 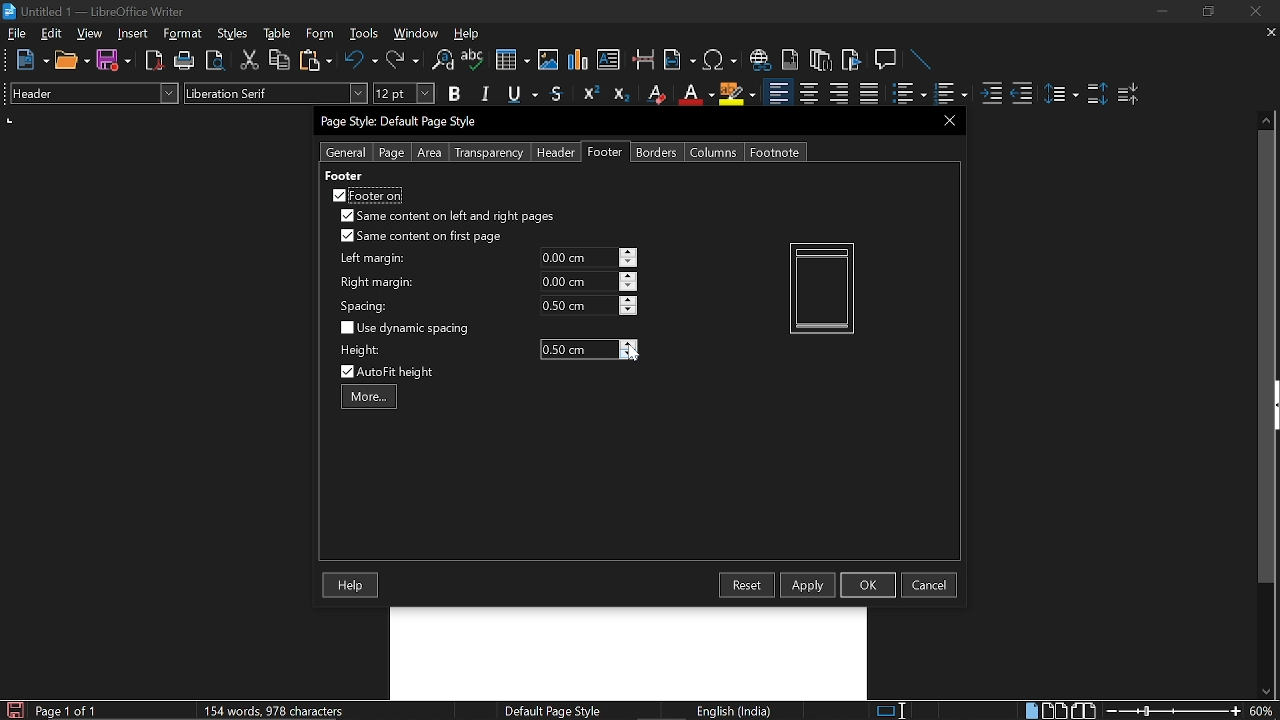 What do you see at coordinates (13, 710) in the screenshot?
I see `Save` at bounding box center [13, 710].